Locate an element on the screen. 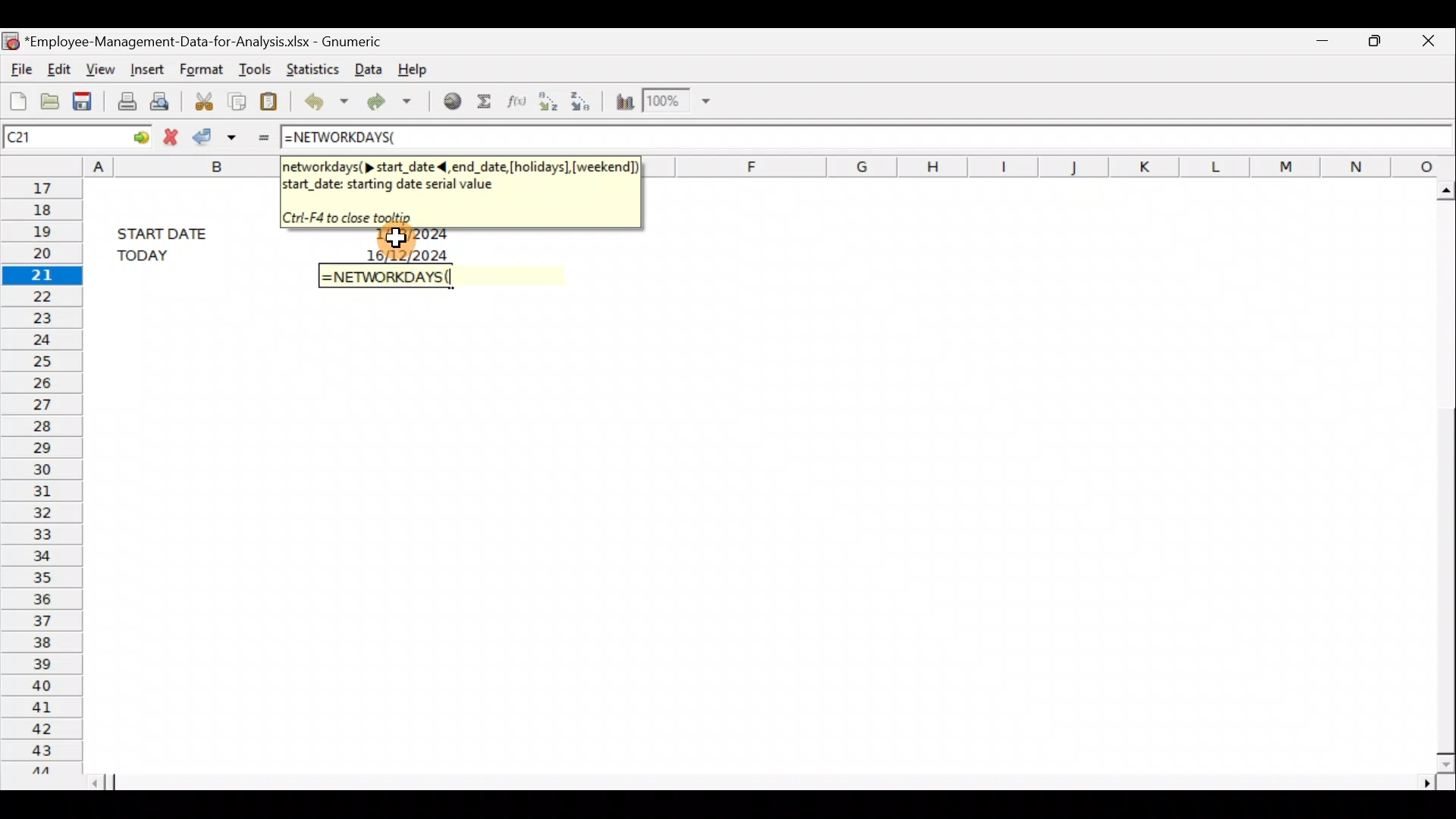 This screenshot has width=1456, height=819. Print preview is located at coordinates (165, 100).